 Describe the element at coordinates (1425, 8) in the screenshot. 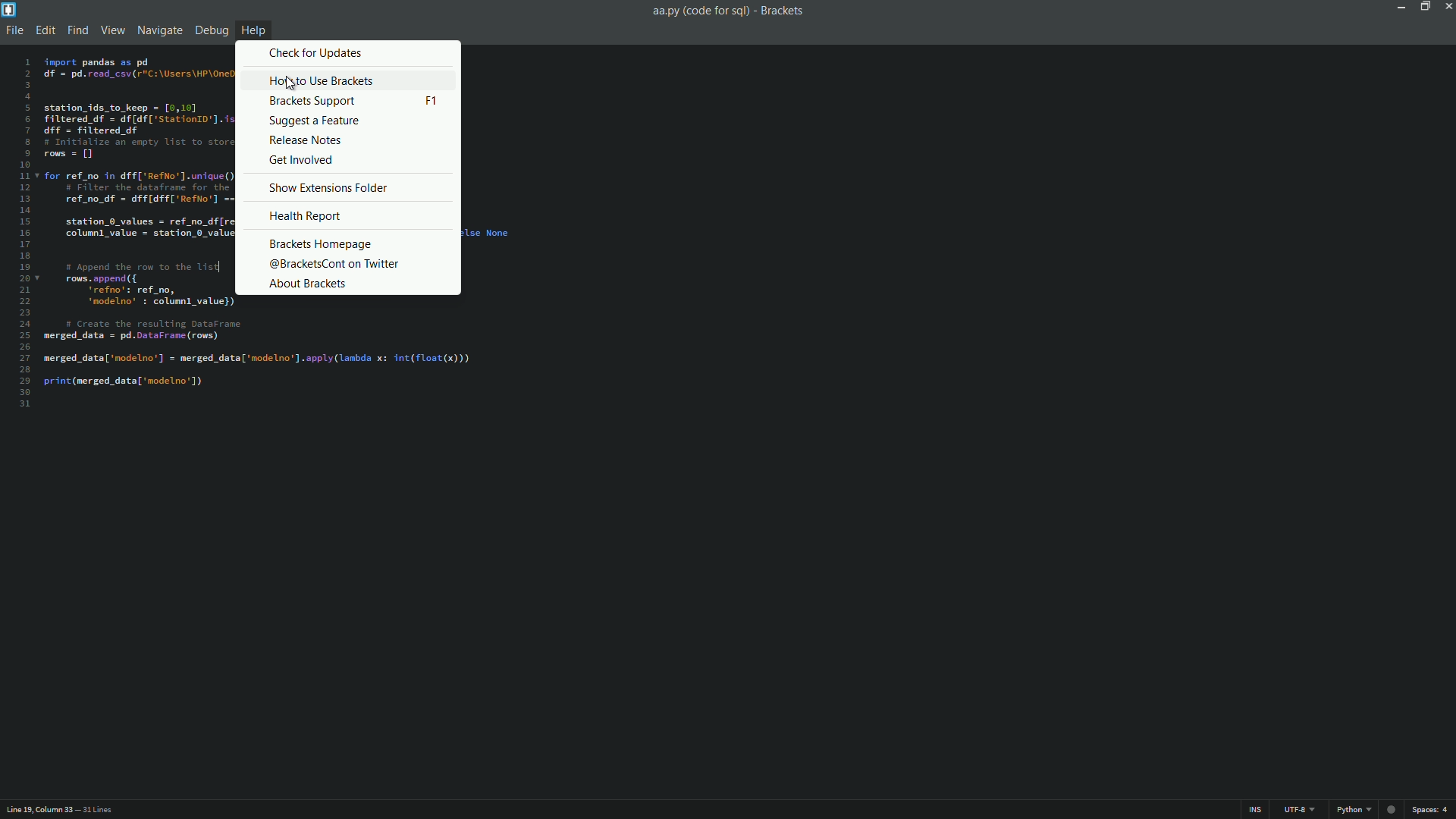

I see `maximize` at that location.